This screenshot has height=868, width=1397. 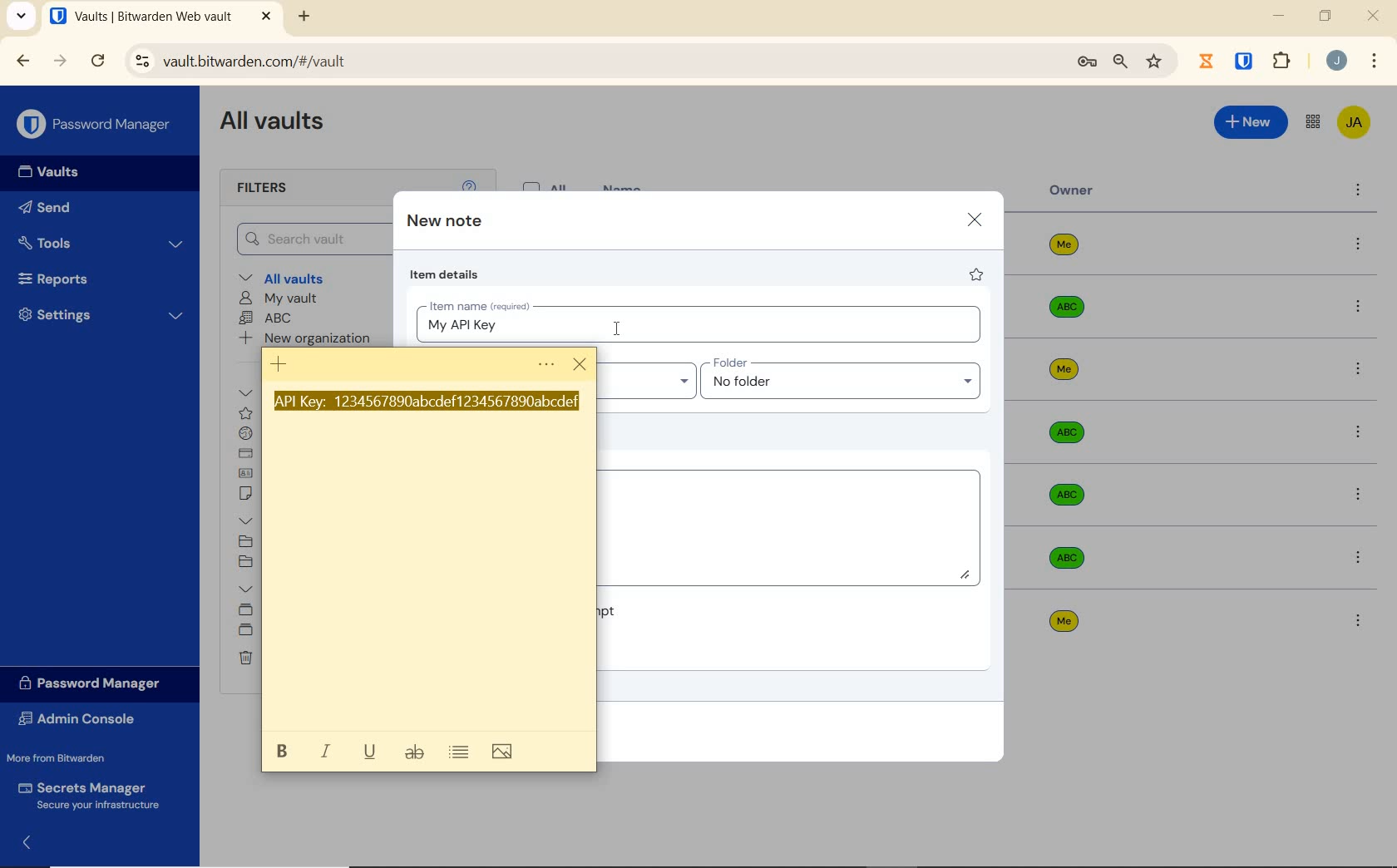 What do you see at coordinates (1250, 122) in the screenshot?
I see `New` at bounding box center [1250, 122].